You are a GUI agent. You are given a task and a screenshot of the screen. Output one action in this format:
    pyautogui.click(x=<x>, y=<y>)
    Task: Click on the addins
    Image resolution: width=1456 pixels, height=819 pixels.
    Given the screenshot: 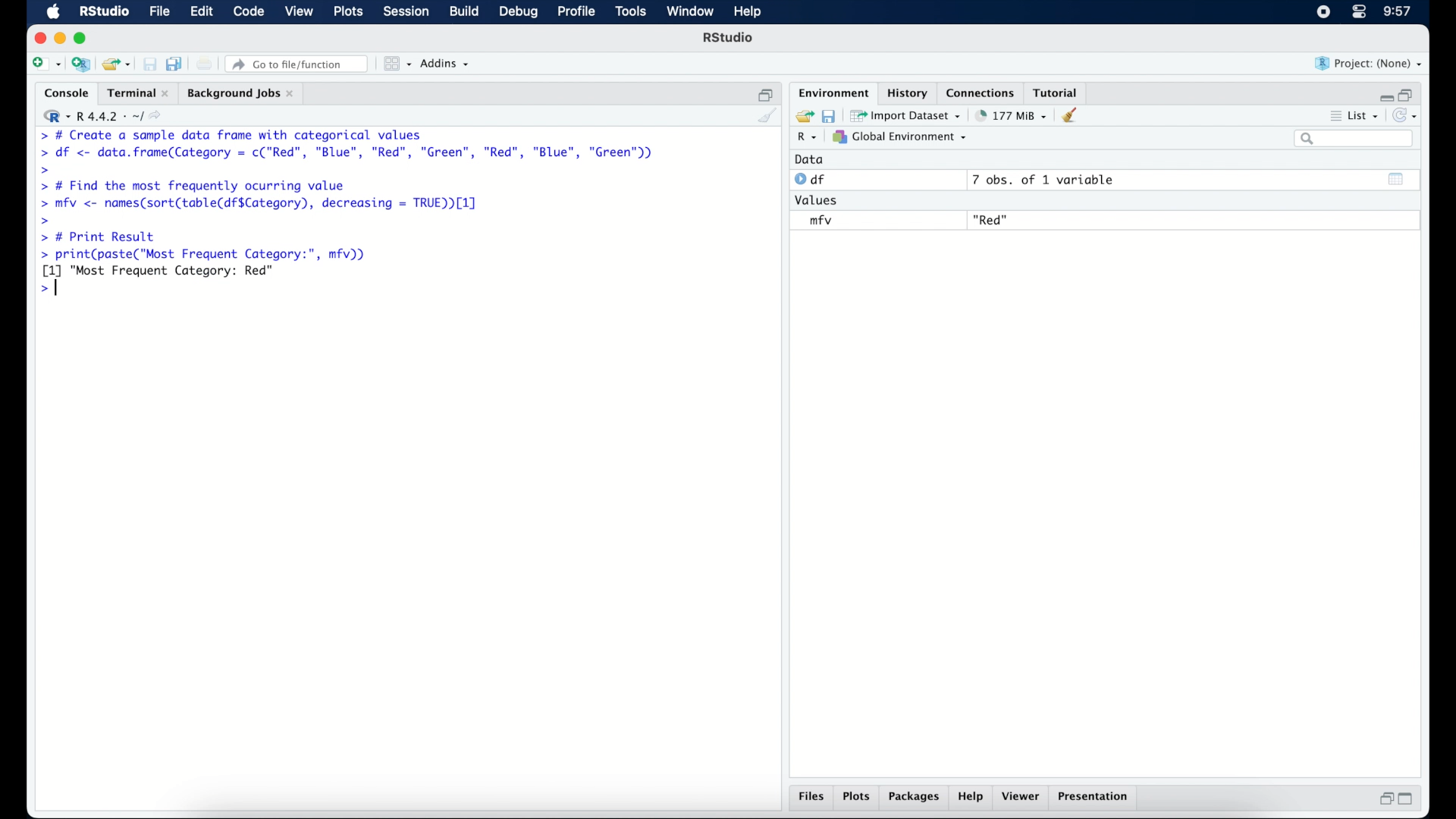 What is the action you would take?
    pyautogui.click(x=447, y=64)
    